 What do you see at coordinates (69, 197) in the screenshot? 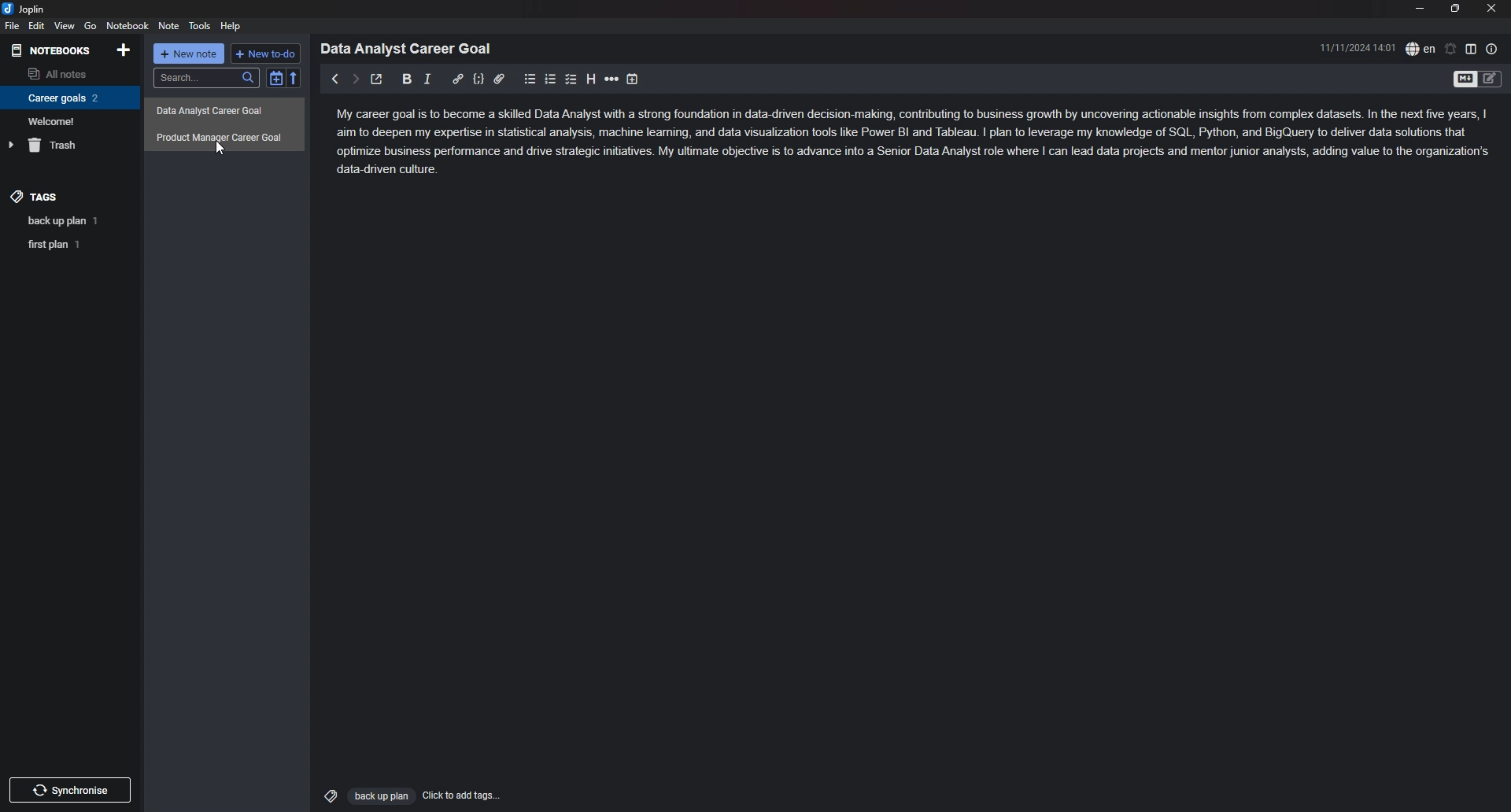
I see `tags` at bounding box center [69, 197].